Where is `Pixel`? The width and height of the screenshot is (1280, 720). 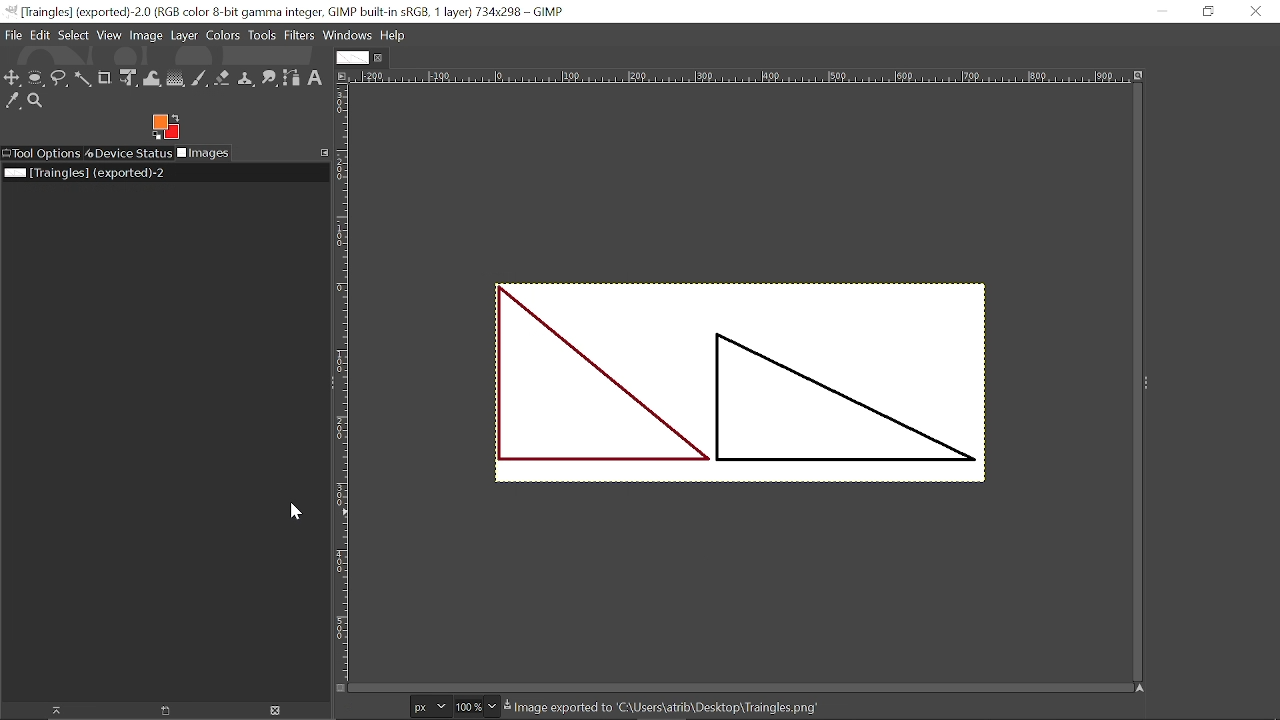
Pixel is located at coordinates (431, 706).